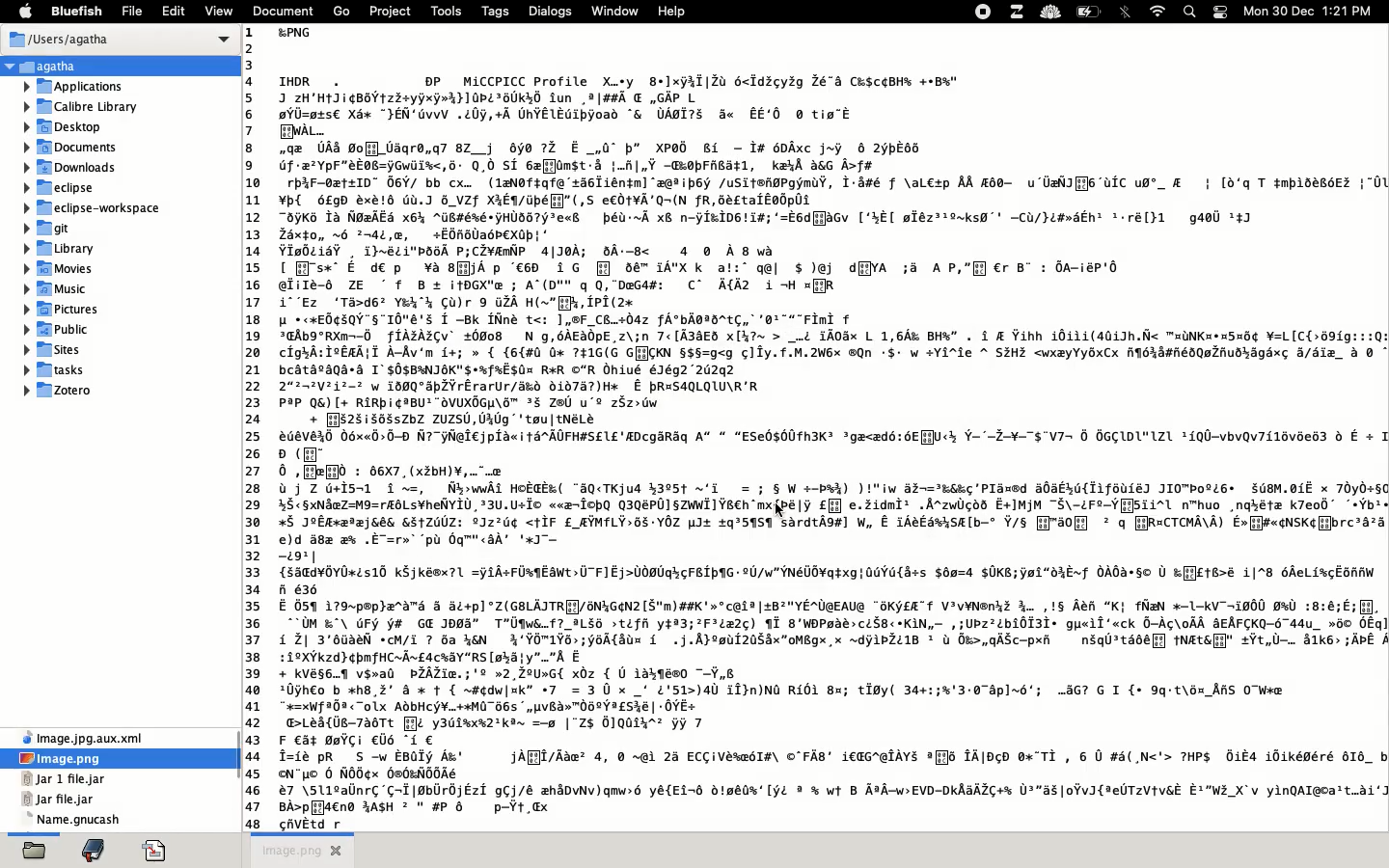 This screenshot has width=1389, height=868. I want to click on document , so click(288, 12).